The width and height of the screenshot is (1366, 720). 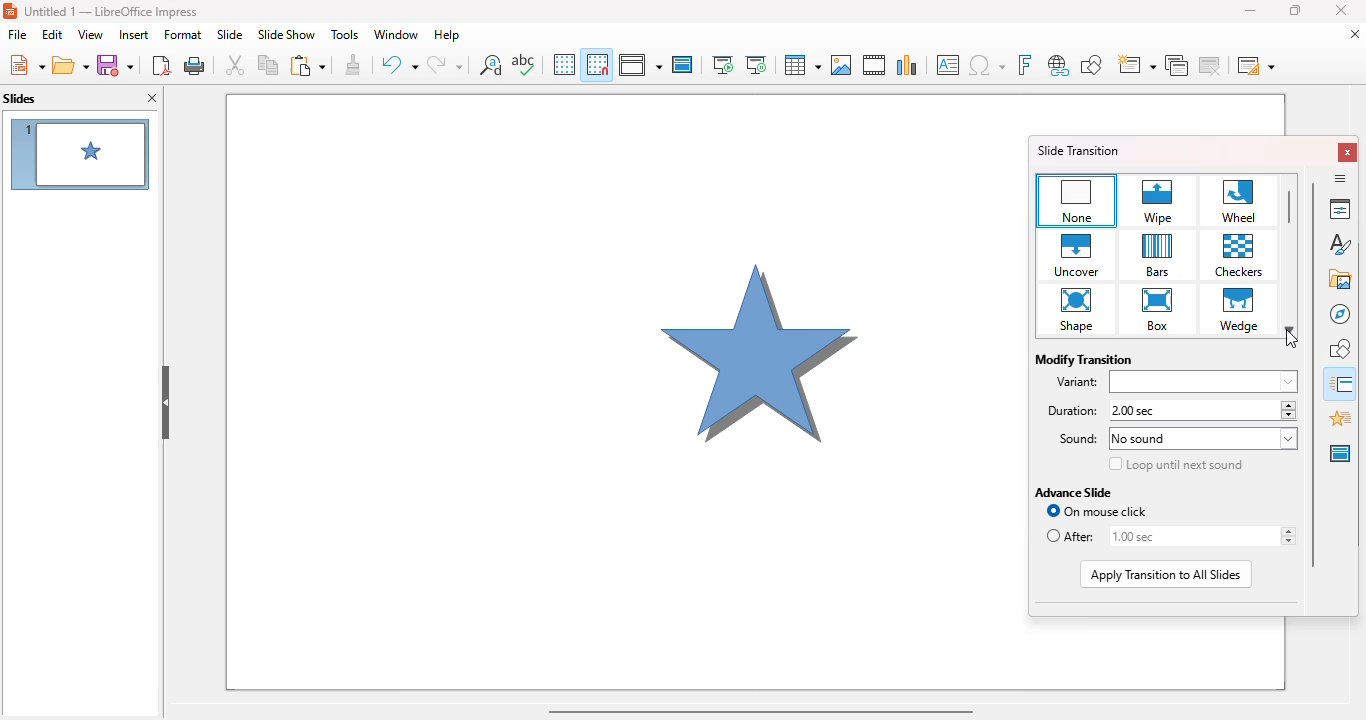 What do you see at coordinates (235, 64) in the screenshot?
I see `cut` at bounding box center [235, 64].